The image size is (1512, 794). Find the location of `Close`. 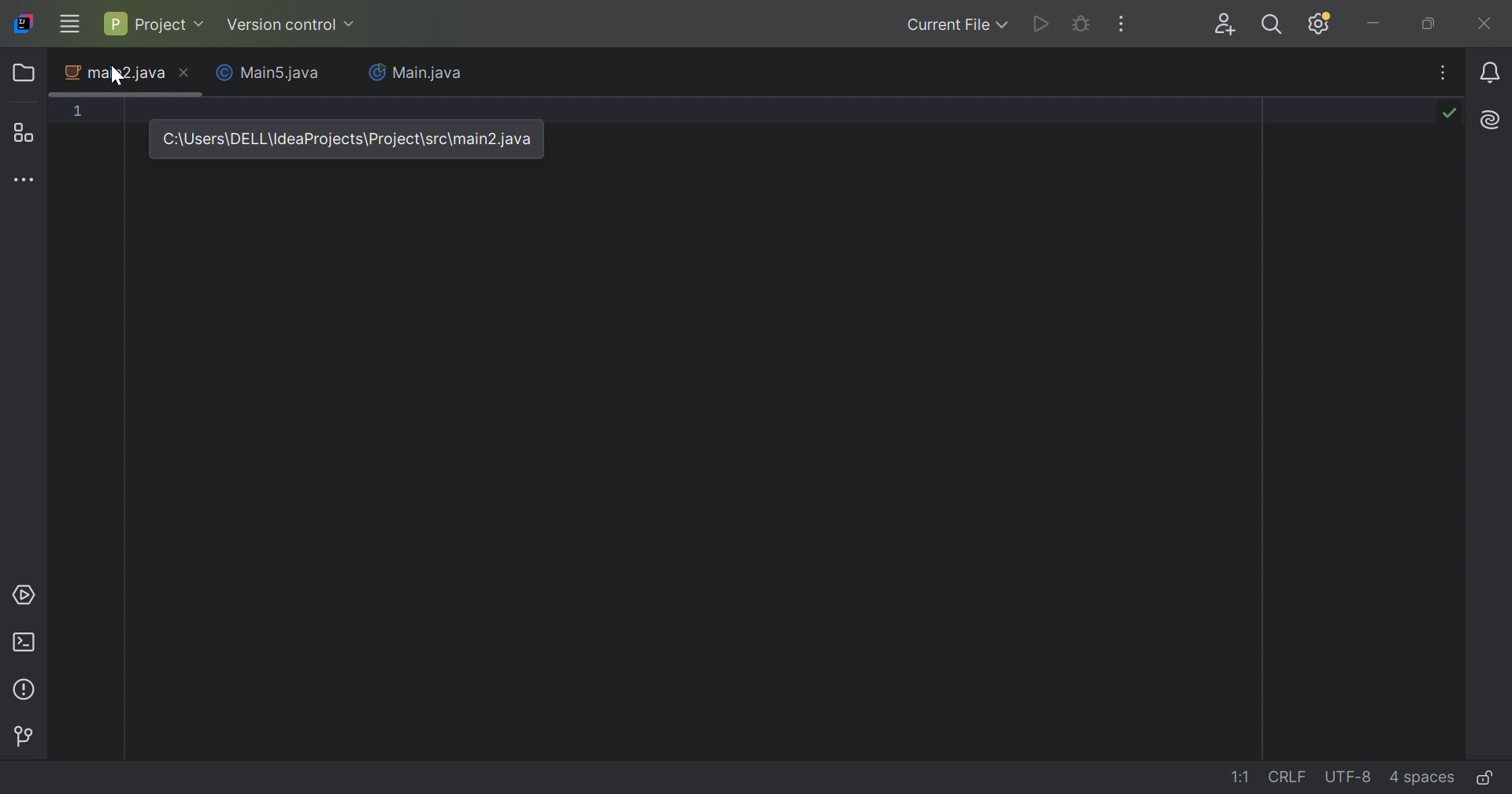

Close is located at coordinates (1486, 23).